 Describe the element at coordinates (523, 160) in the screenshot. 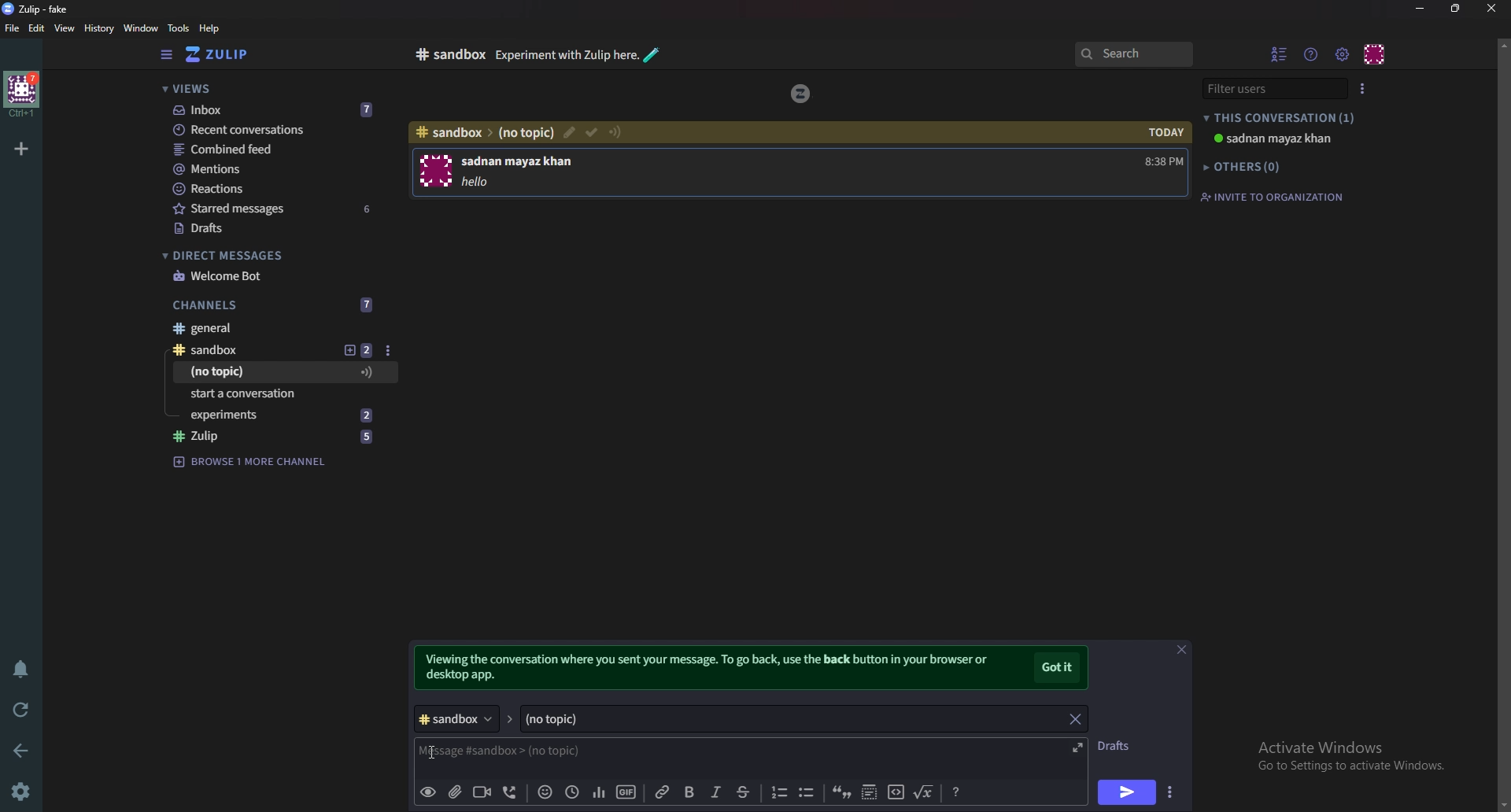

I see `sadnan mayaz khan` at that location.